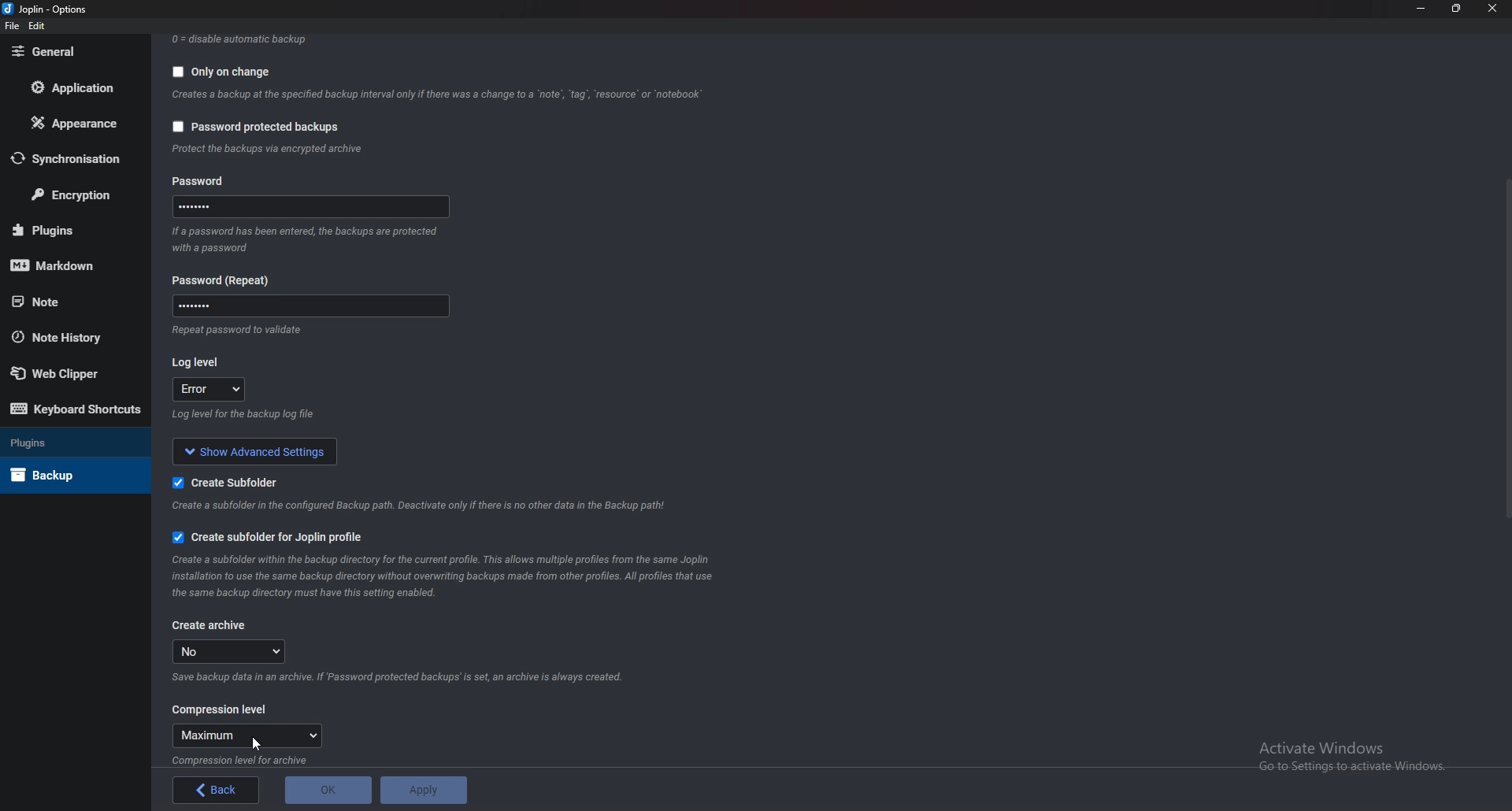  Describe the element at coordinates (79, 121) in the screenshot. I see `Appearance` at that location.